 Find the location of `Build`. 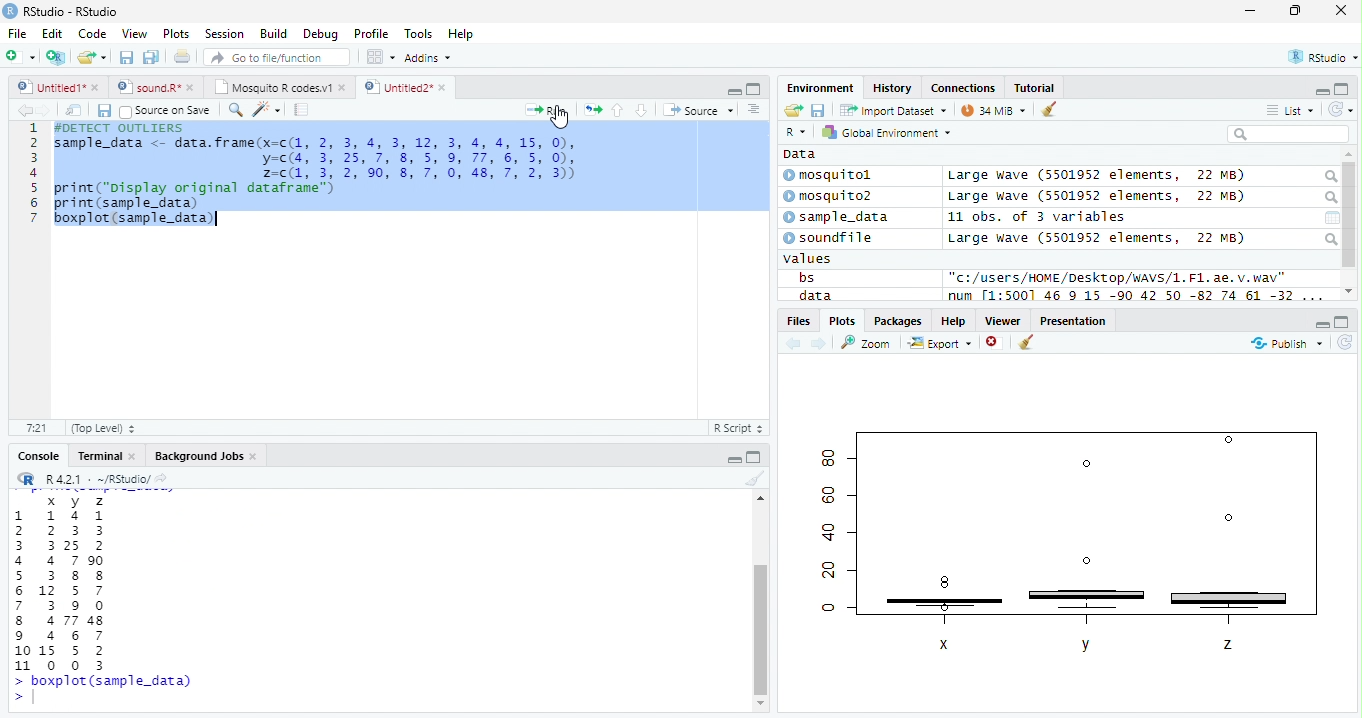

Build is located at coordinates (274, 33).